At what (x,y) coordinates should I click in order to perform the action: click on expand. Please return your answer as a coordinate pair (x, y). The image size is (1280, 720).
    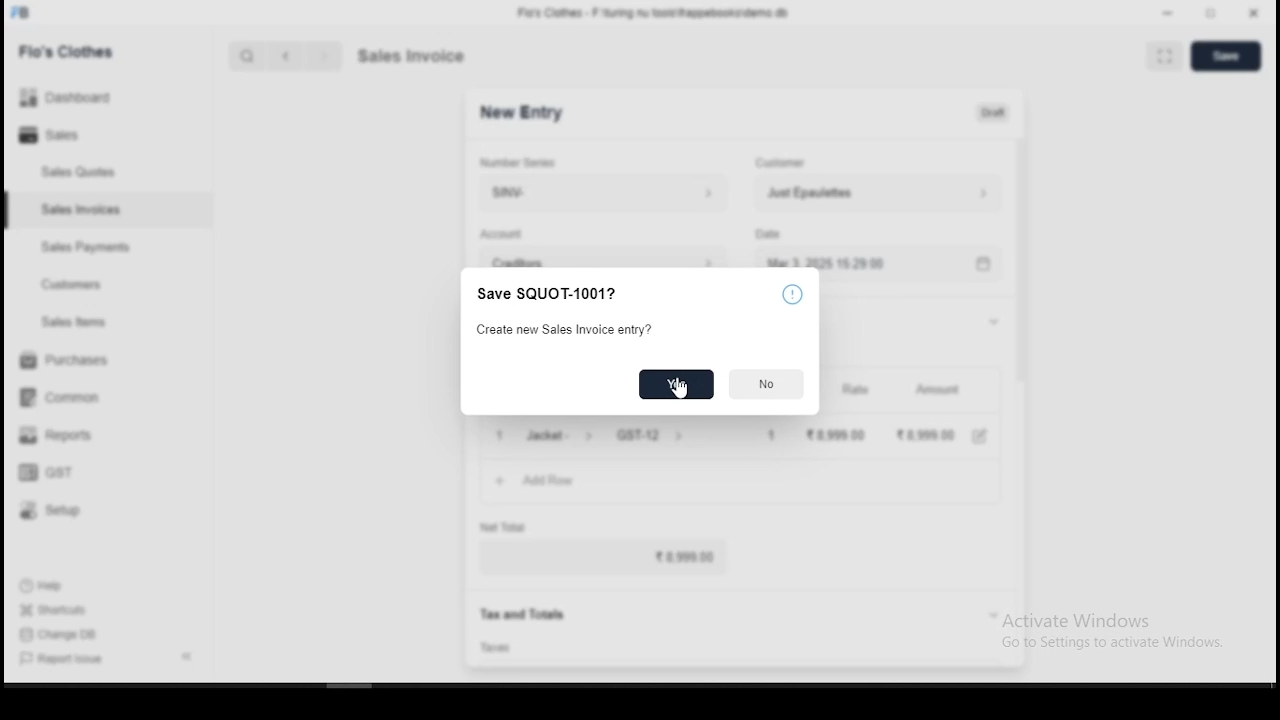
    Looking at the image, I should click on (182, 654).